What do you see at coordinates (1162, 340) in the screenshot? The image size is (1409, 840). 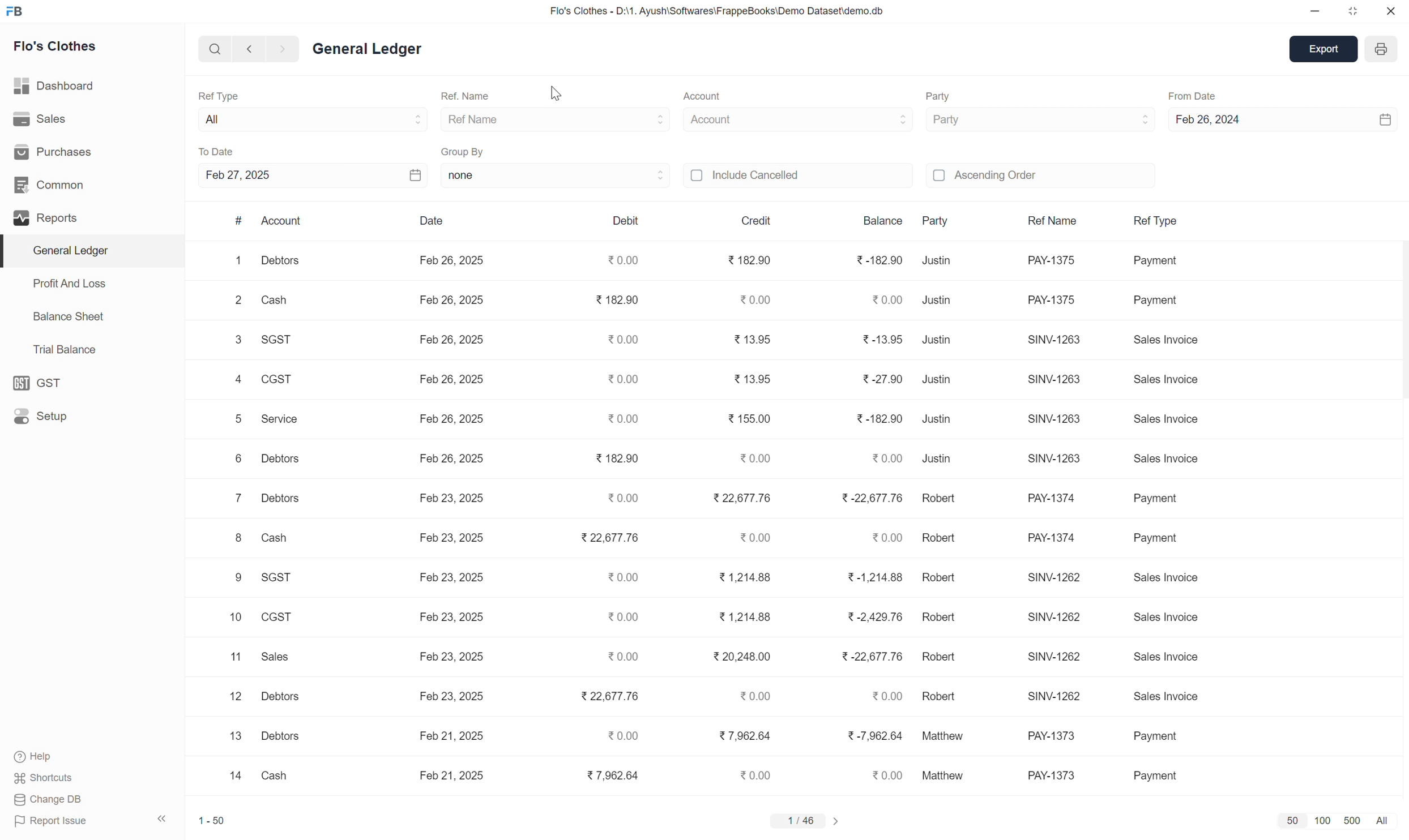 I see `sales invoice` at bounding box center [1162, 340].